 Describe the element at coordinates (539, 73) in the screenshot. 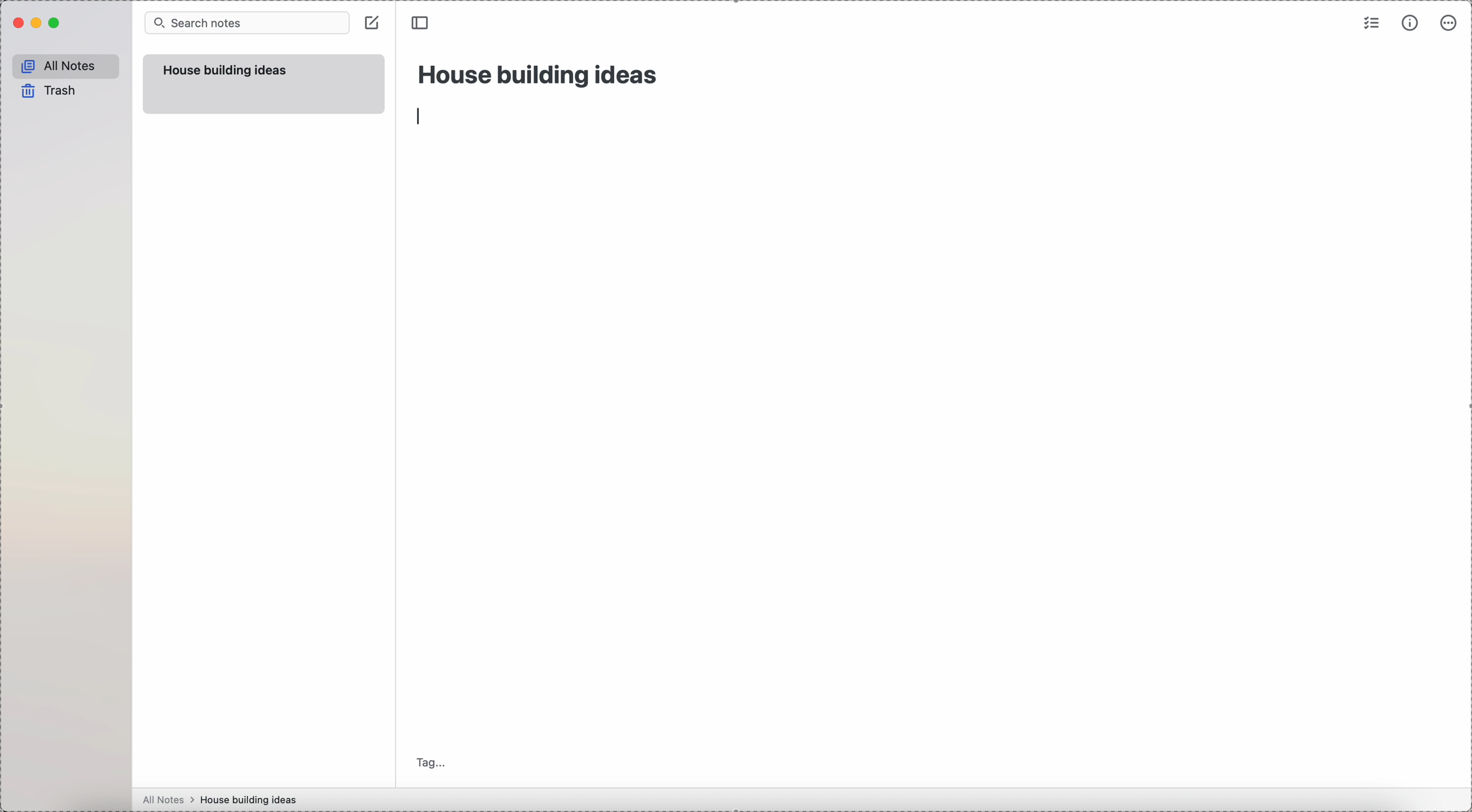

I see `house building ideas` at that location.